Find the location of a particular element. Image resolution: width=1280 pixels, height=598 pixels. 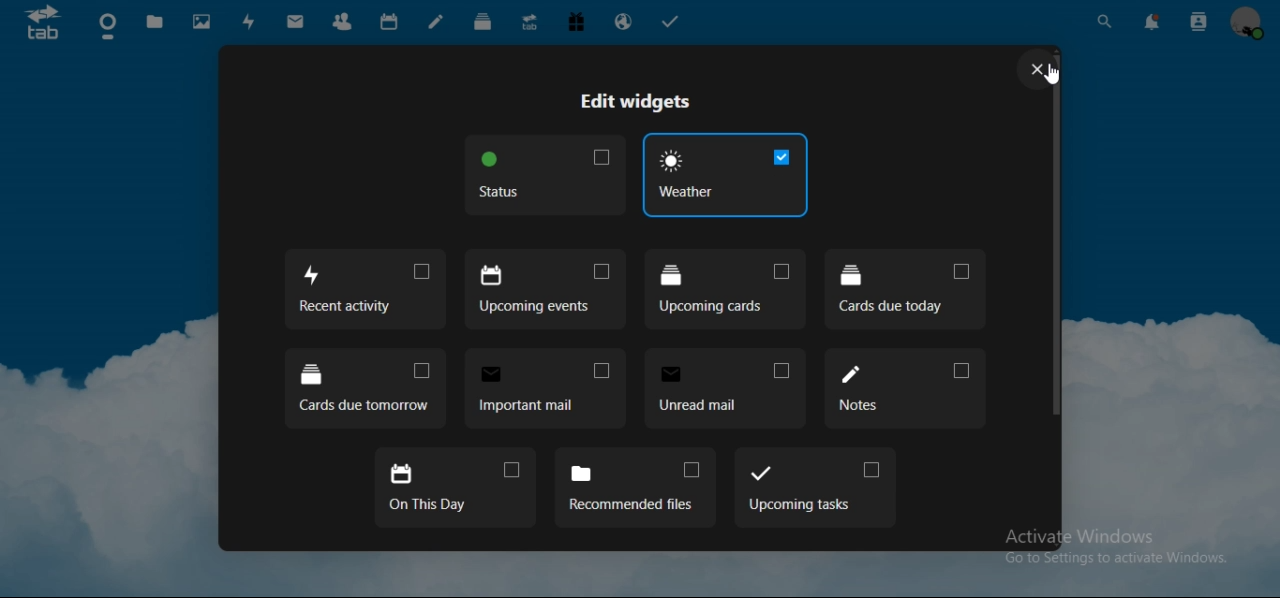

view profile is located at coordinates (1247, 23).